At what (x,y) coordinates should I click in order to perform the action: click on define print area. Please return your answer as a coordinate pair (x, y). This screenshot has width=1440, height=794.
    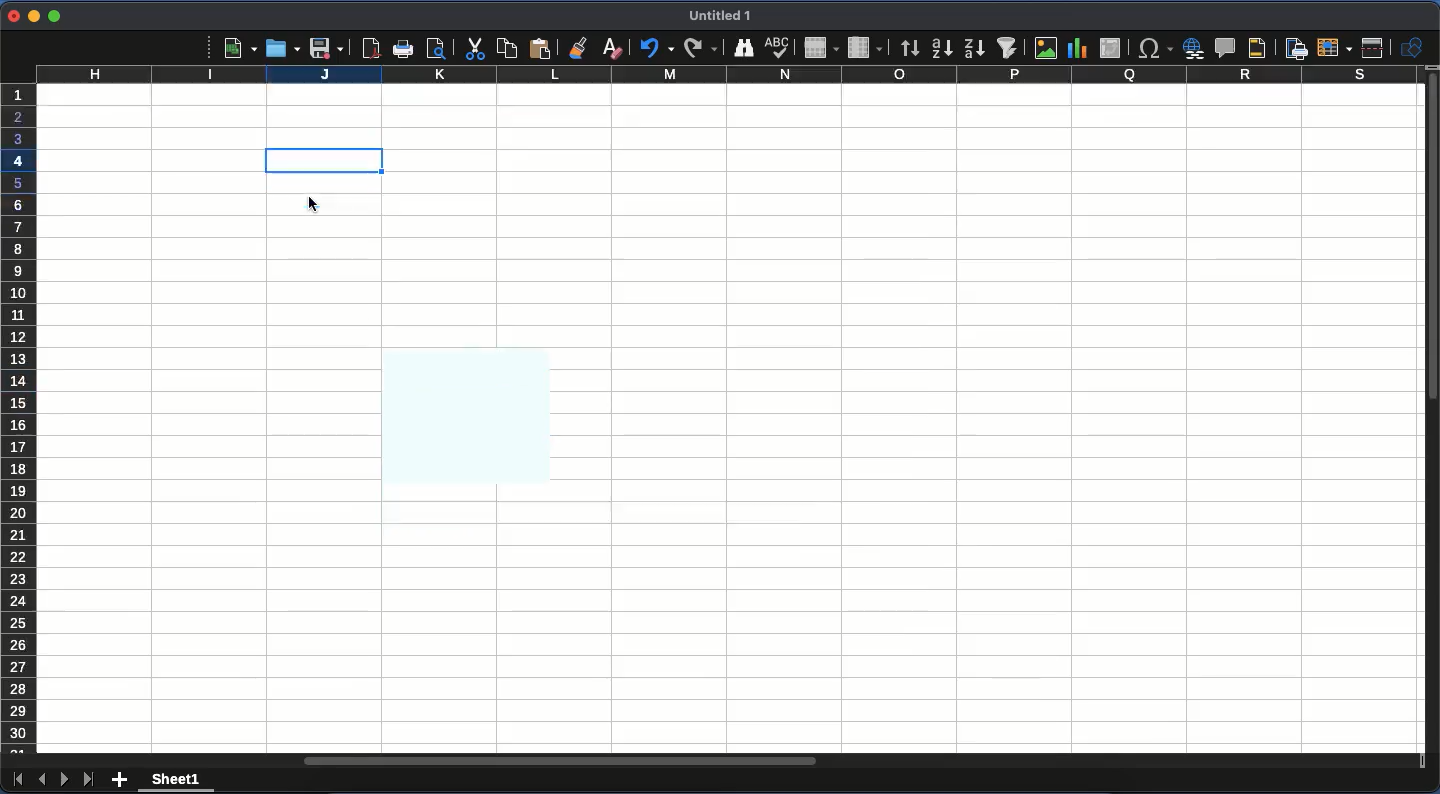
    Looking at the image, I should click on (1297, 49).